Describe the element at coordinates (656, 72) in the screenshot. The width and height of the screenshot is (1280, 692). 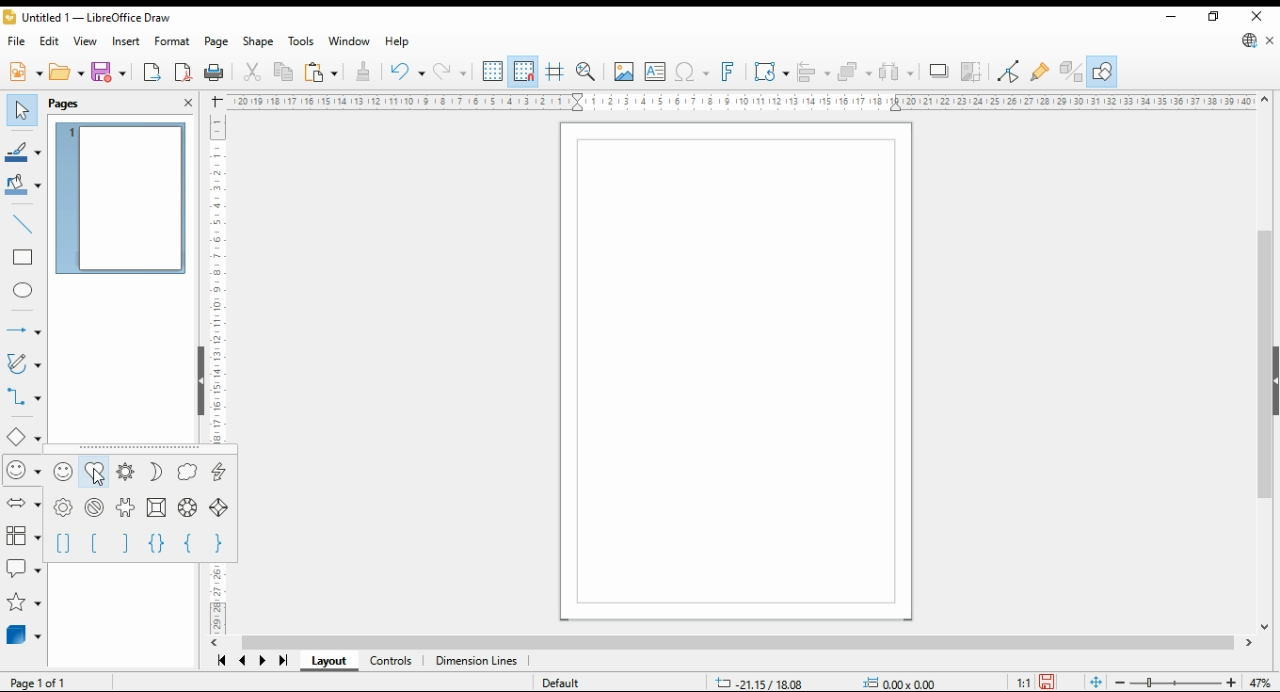
I see `insert text box` at that location.